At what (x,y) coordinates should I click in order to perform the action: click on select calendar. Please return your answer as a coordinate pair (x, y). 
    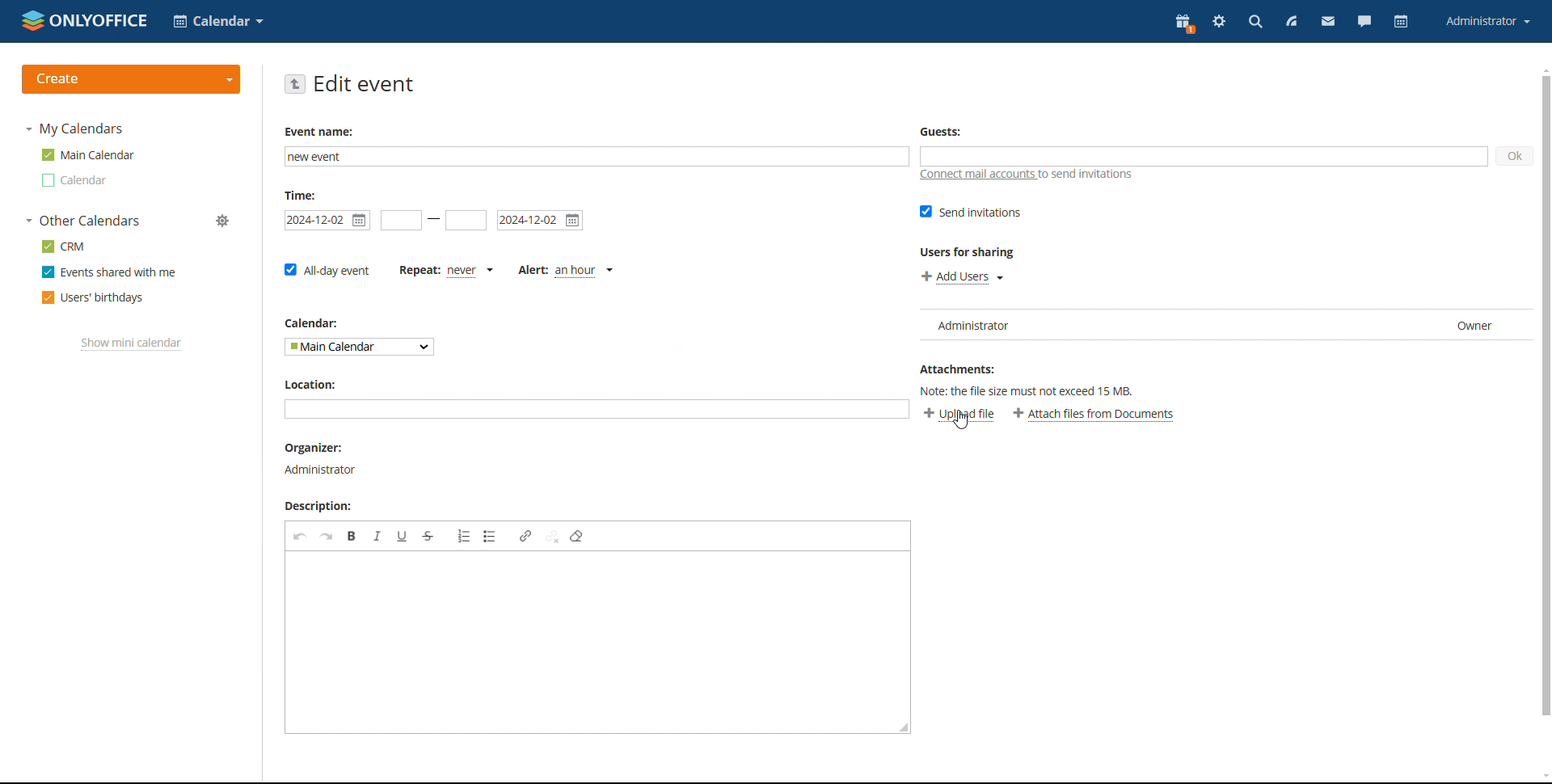
    Looking at the image, I should click on (360, 347).